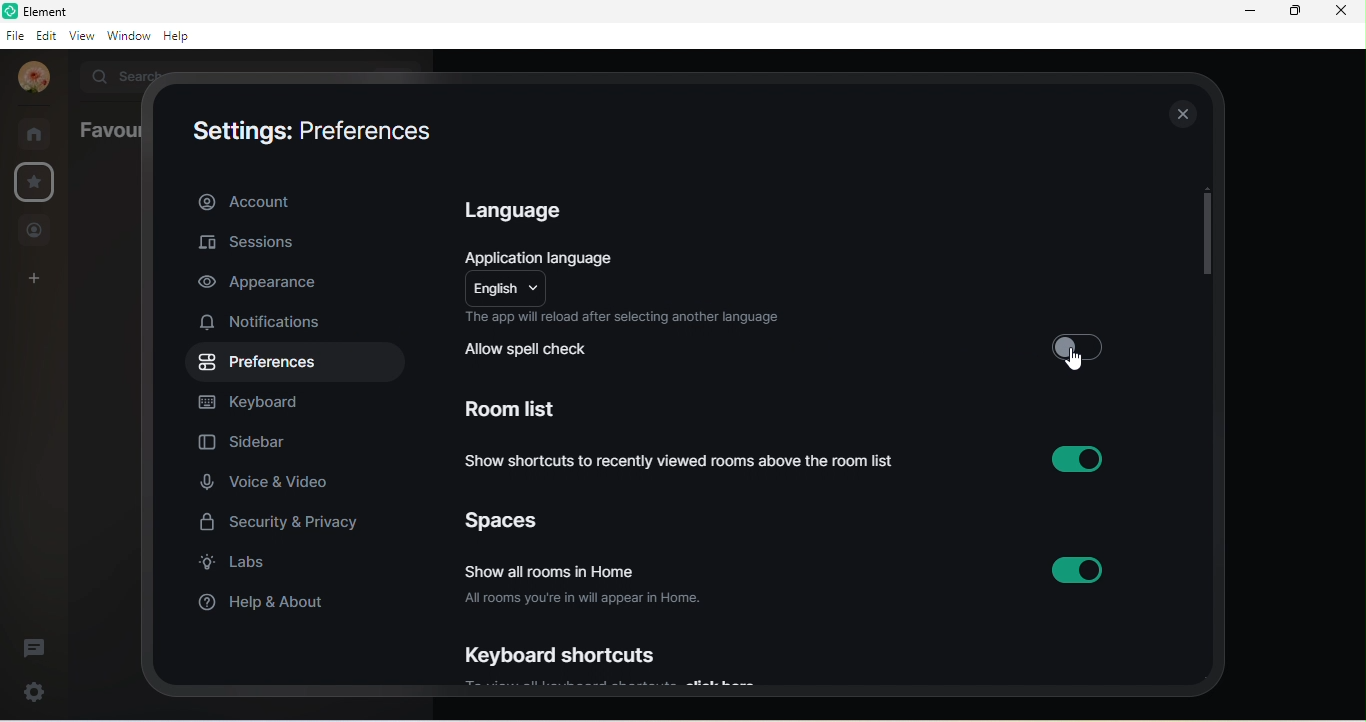 This screenshot has width=1366, height=722. I want to click on show shortcuts to recently viewed rooms above the room list, so click(781, 465).